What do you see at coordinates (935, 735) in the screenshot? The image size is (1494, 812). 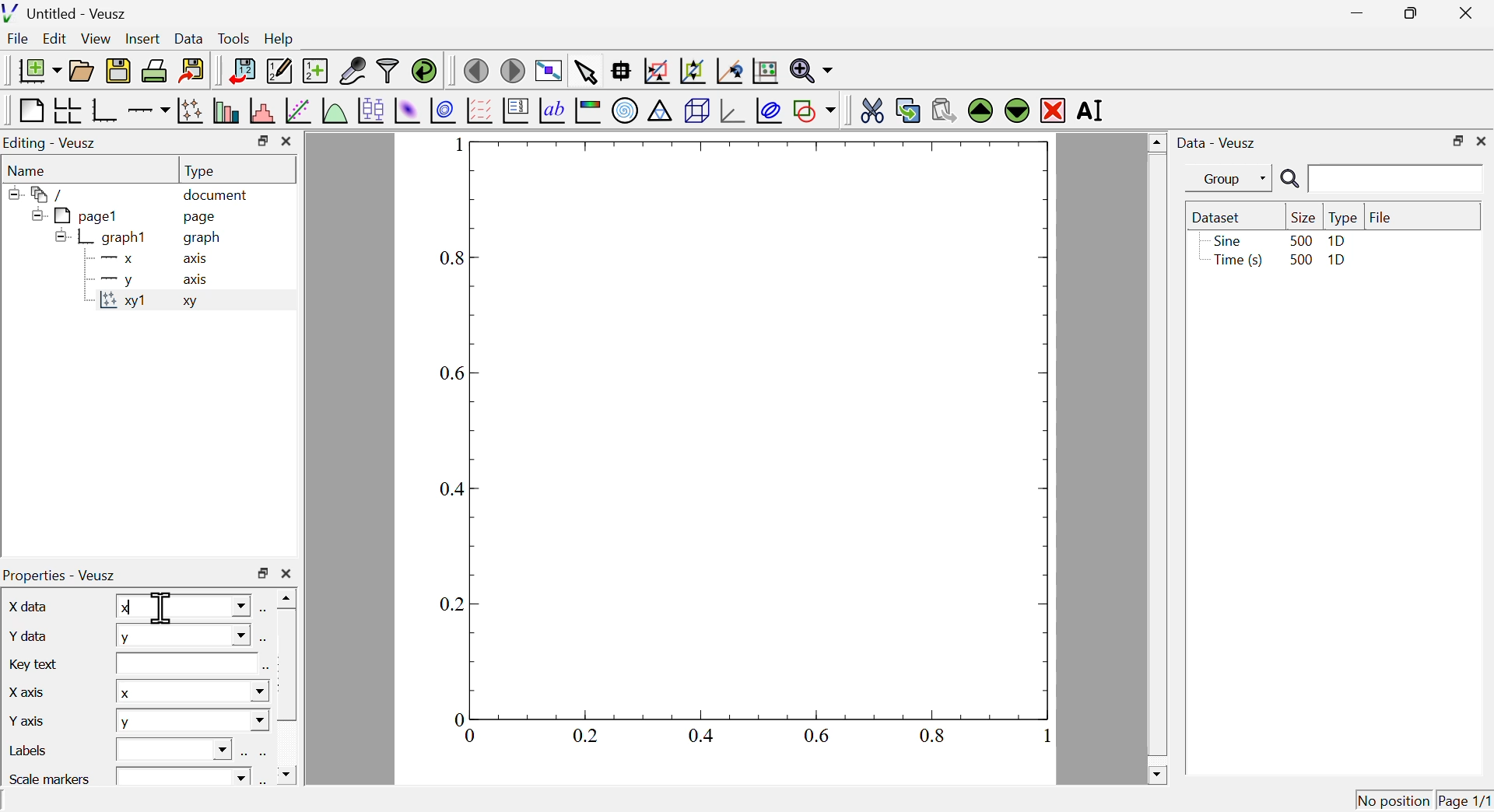 I see `0.8` at bounding box center [935, 735].